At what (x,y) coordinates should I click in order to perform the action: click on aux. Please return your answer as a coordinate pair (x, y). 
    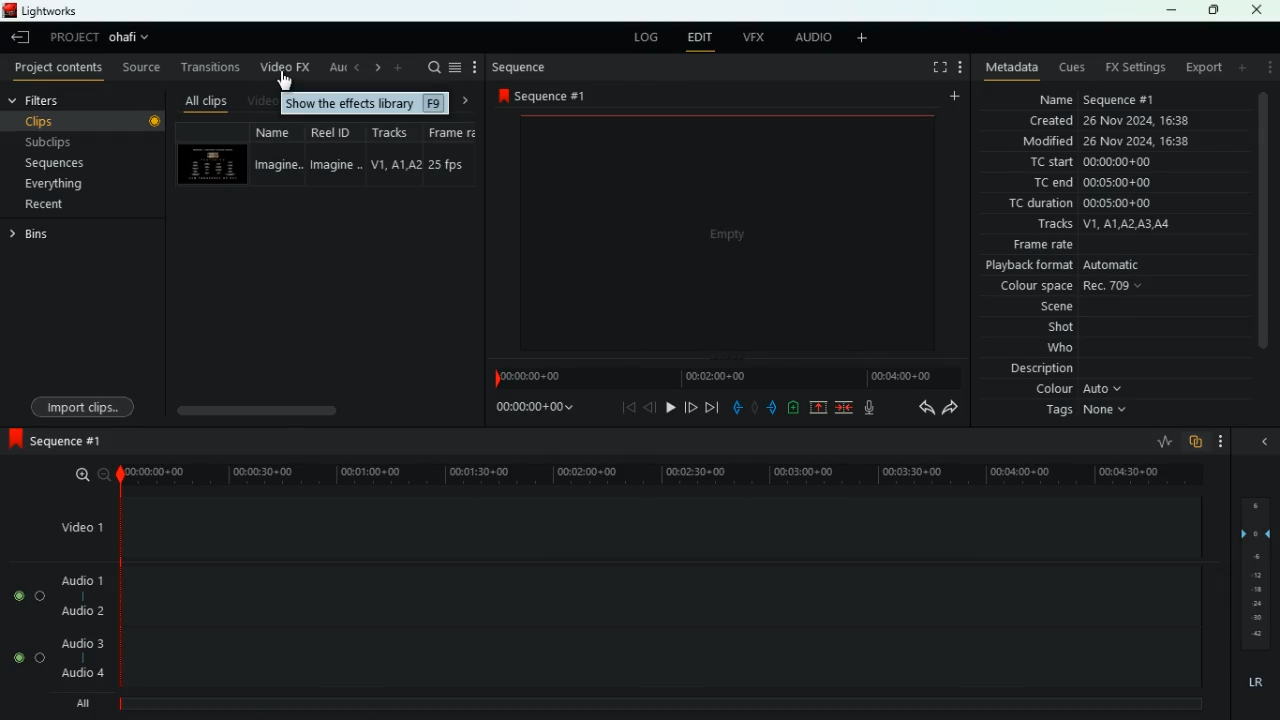
    Looking at the image, I should click on (338, 68).